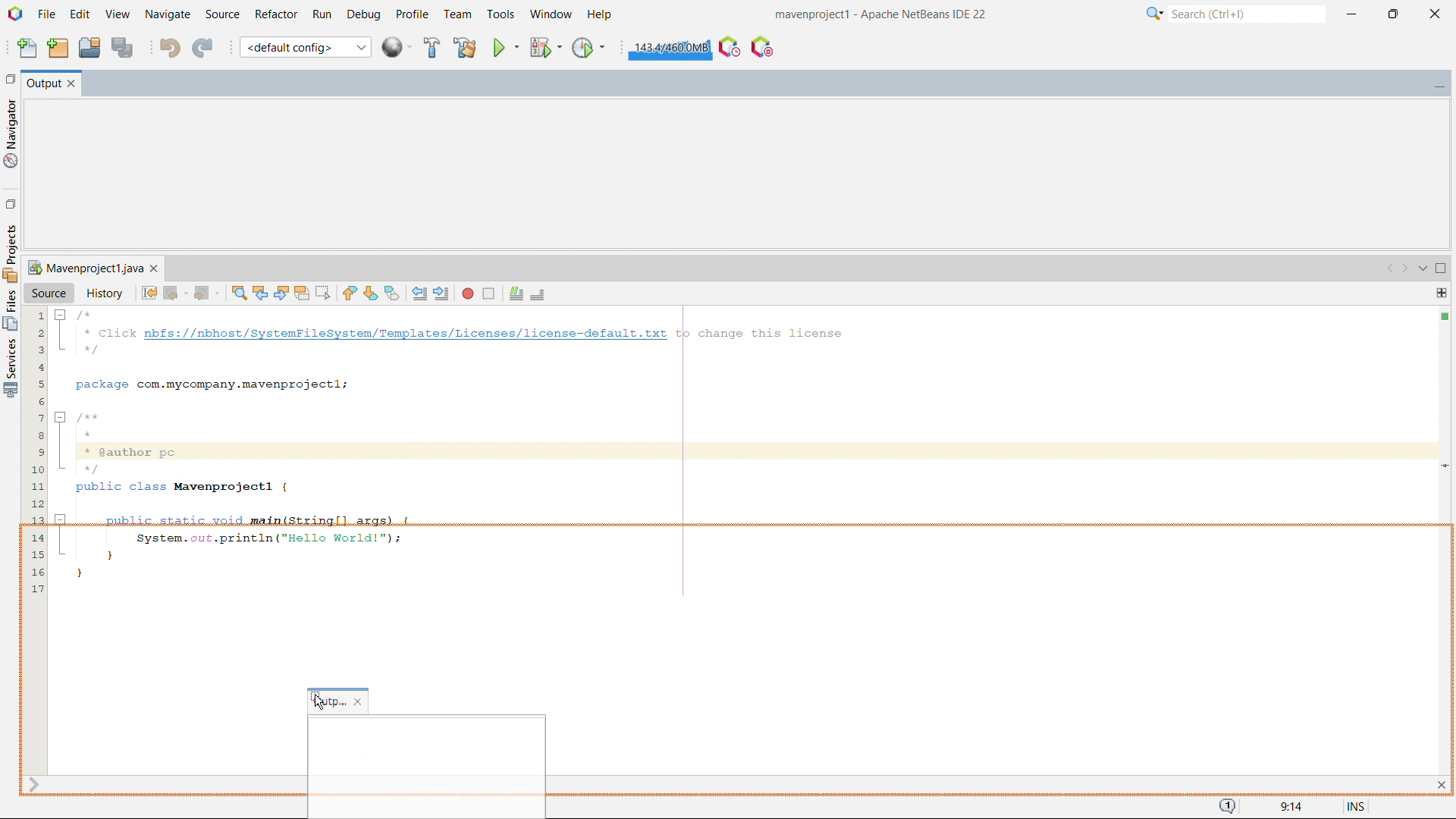 The width and height of the screenshot is (1456, 819). Describe the element at coordinates (11, 310) in the screenshot. I see `files` at that location.